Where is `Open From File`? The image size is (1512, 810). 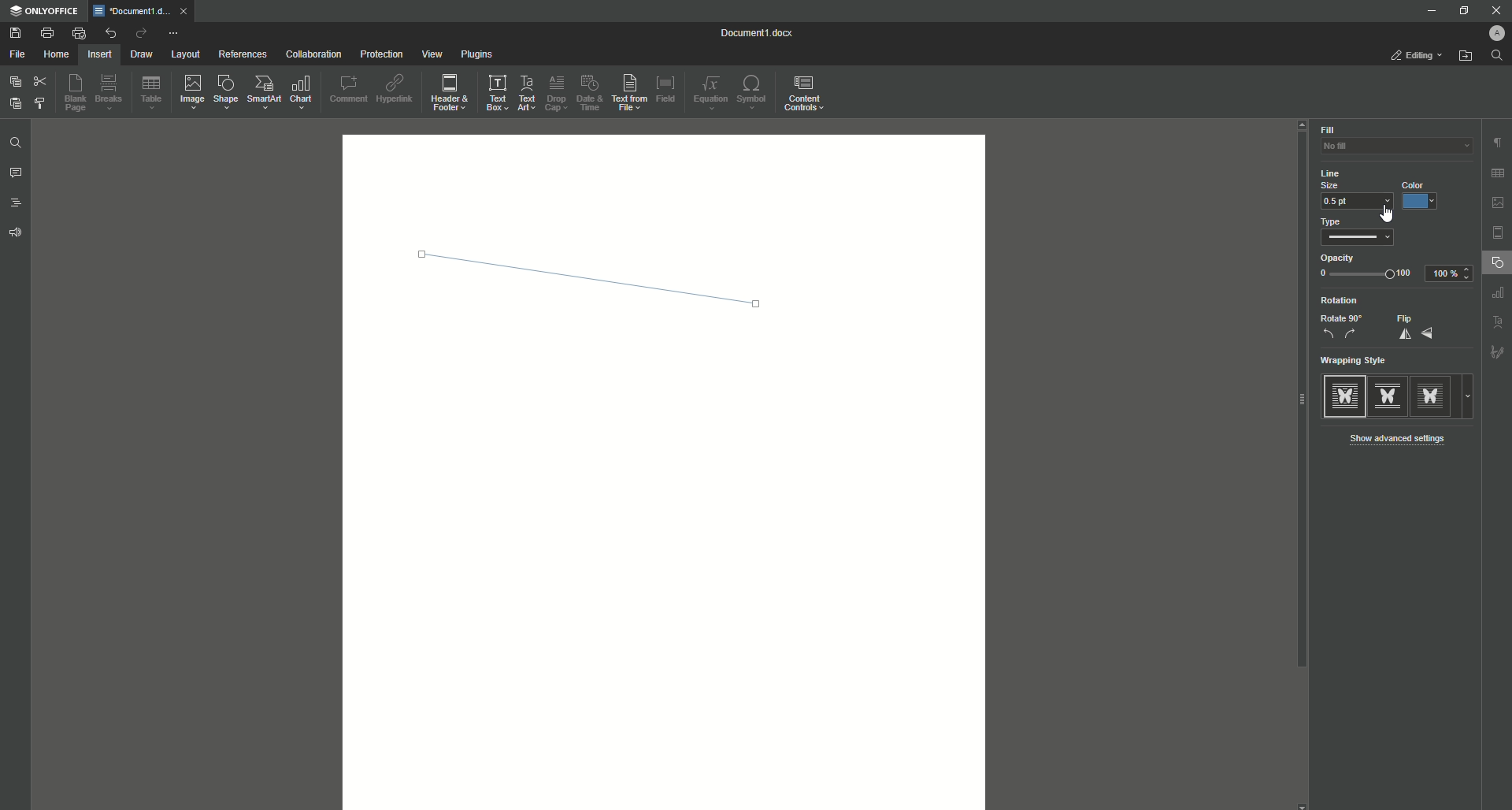 Open From File is located at coordinates (1466, 58).